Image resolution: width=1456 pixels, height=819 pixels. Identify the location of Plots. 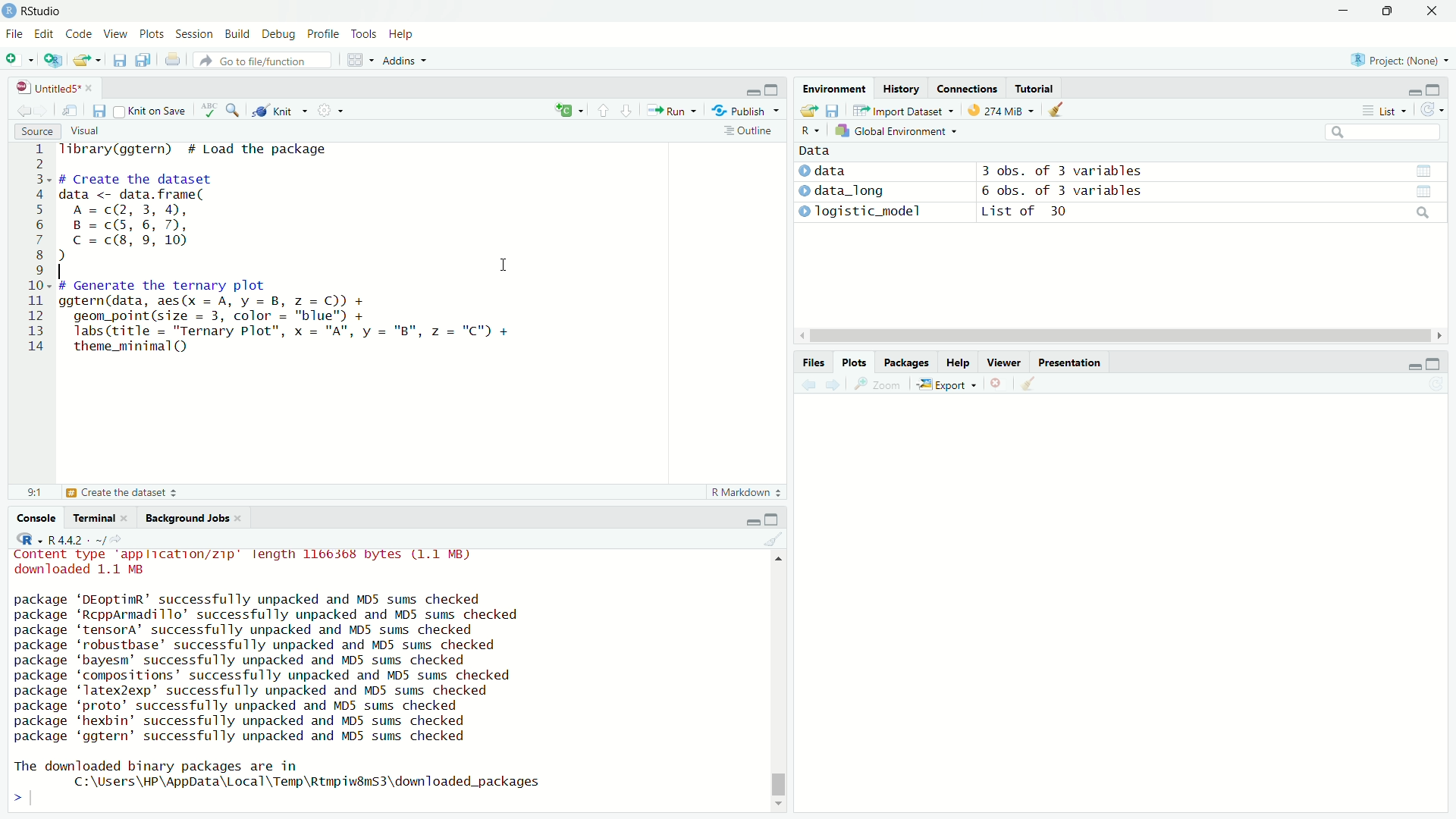
(852, 361).